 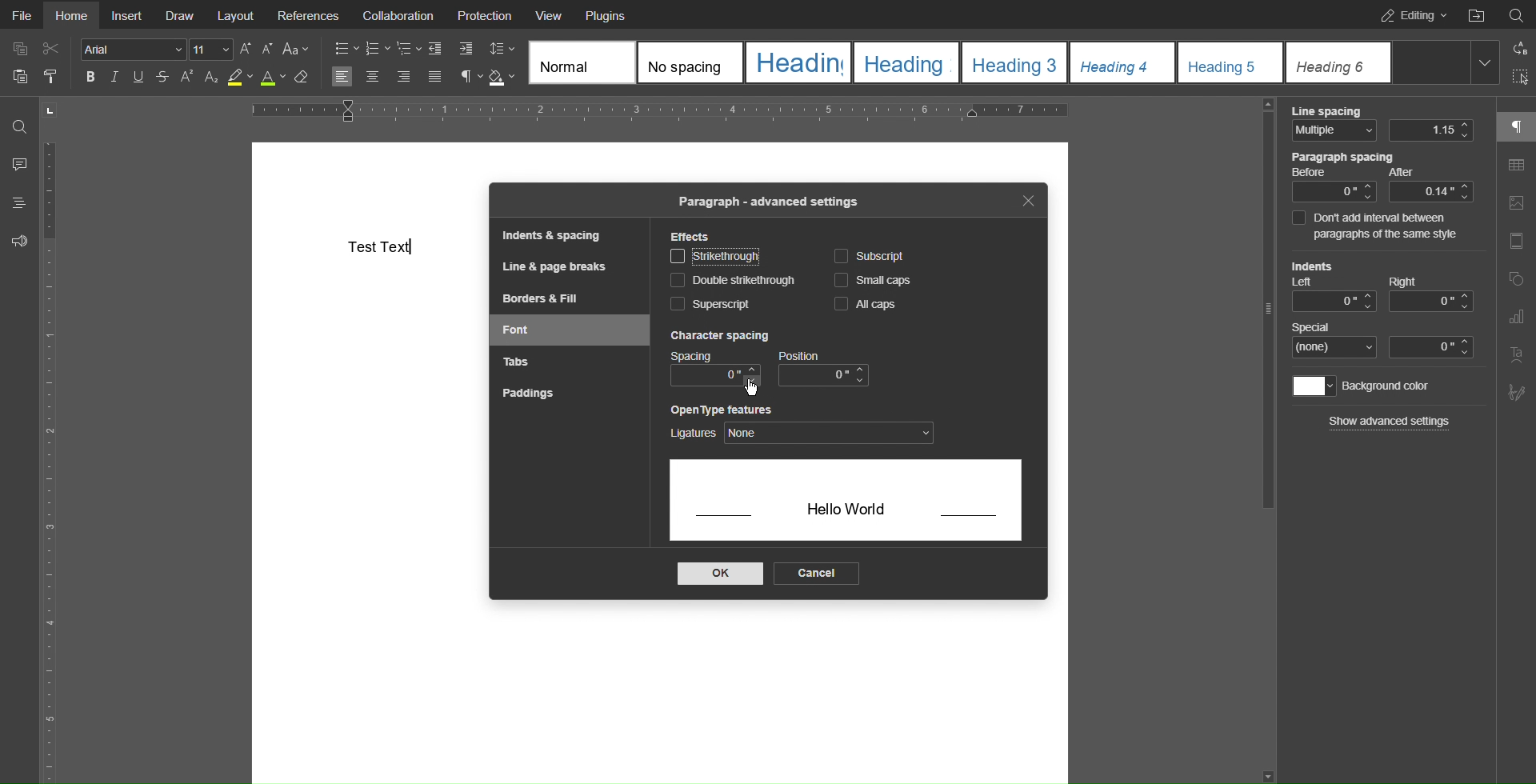 I want to click on Vertical Ruler, so click(x=56, y=458).